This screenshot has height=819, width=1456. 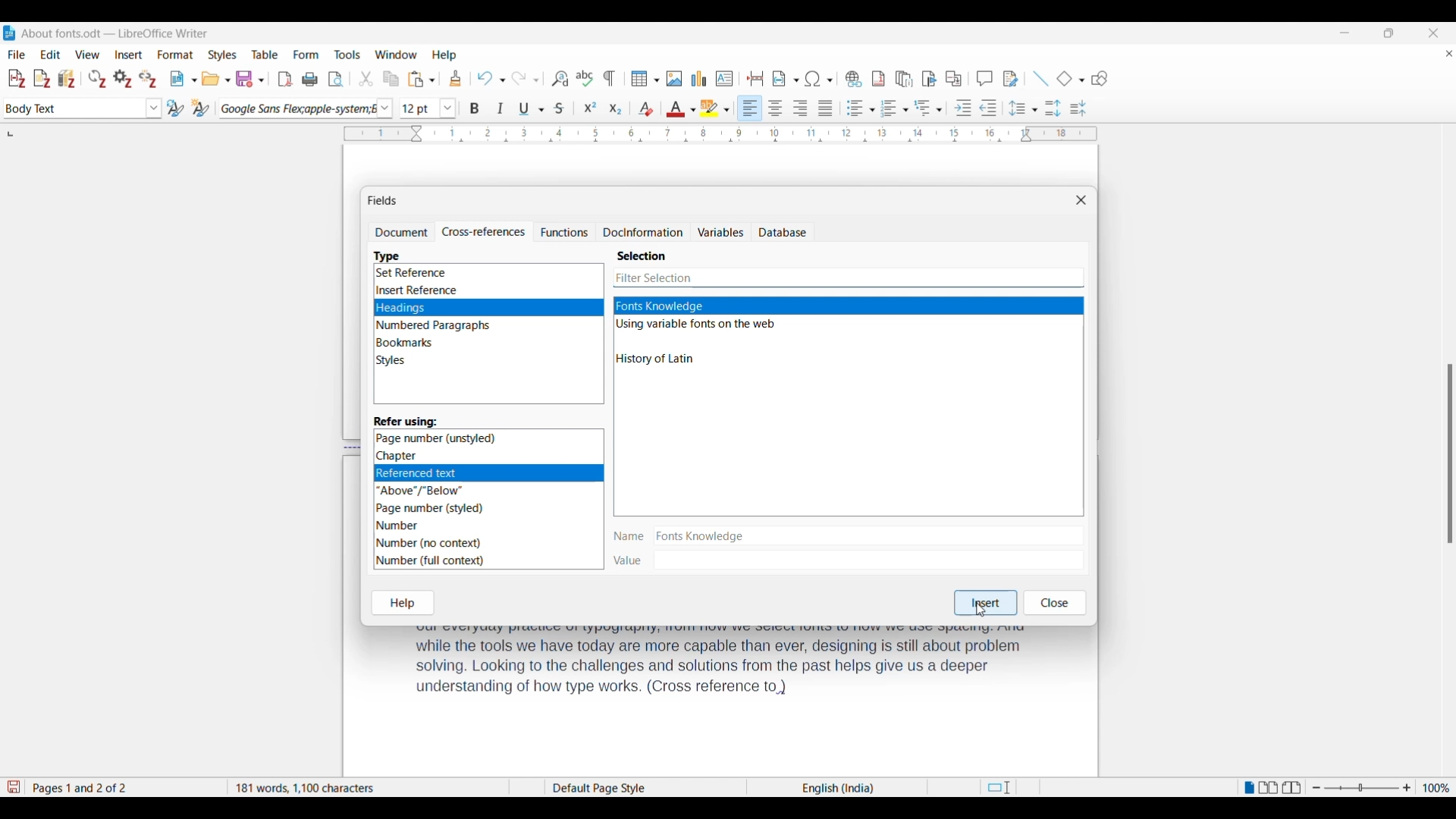 What do you see at coordinates (930, 80) in the screenshot?
I see `Insert bookmark` at bounding box center [930, 80].